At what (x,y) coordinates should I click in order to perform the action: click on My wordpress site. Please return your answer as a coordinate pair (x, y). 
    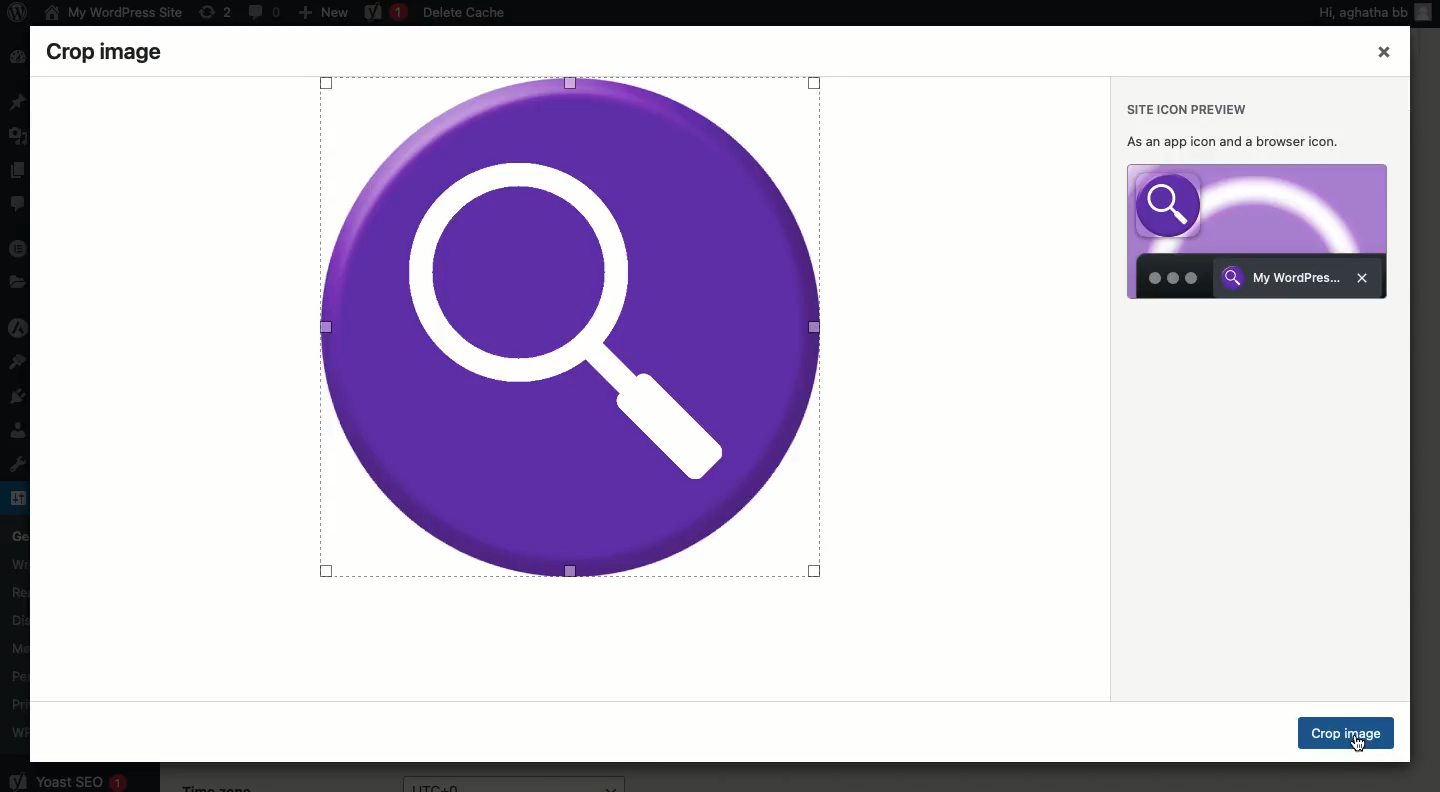
    Looking at the image, I should click on (111, 12).